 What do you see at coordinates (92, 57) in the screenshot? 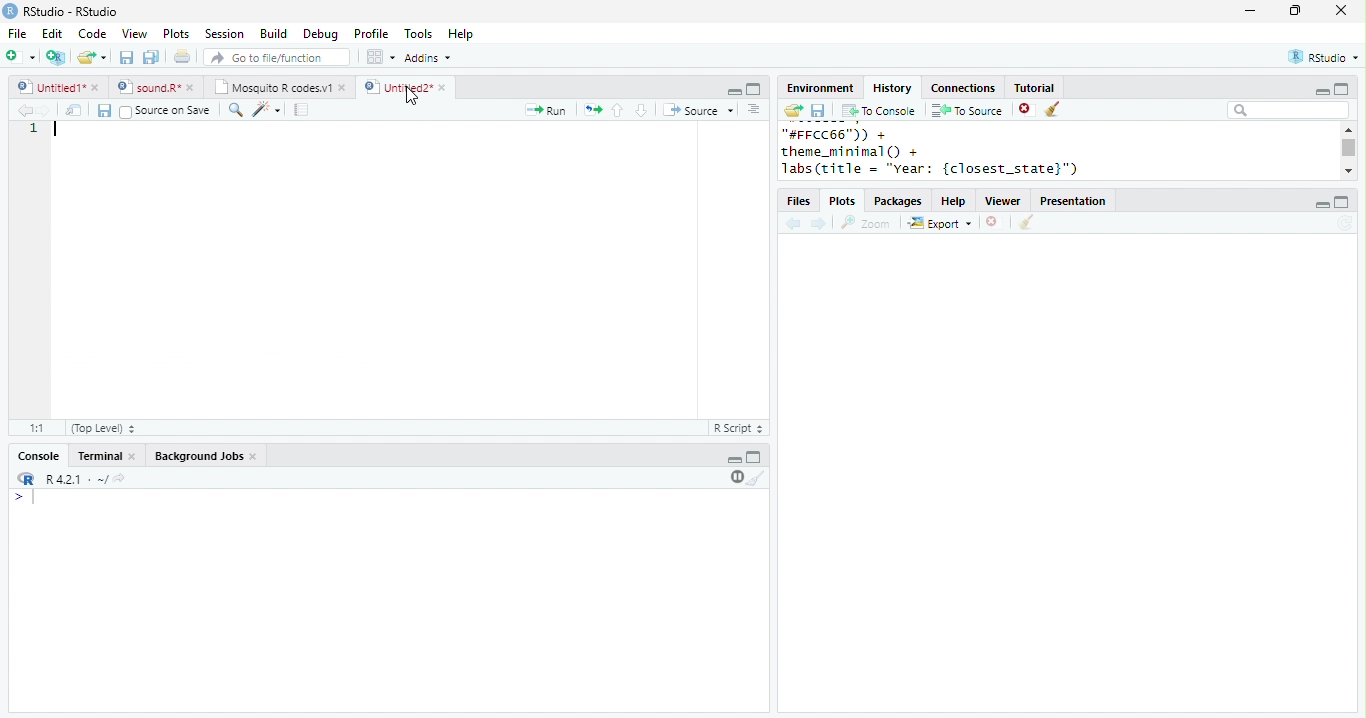
I see `open file` at bounding box center [92, 57].